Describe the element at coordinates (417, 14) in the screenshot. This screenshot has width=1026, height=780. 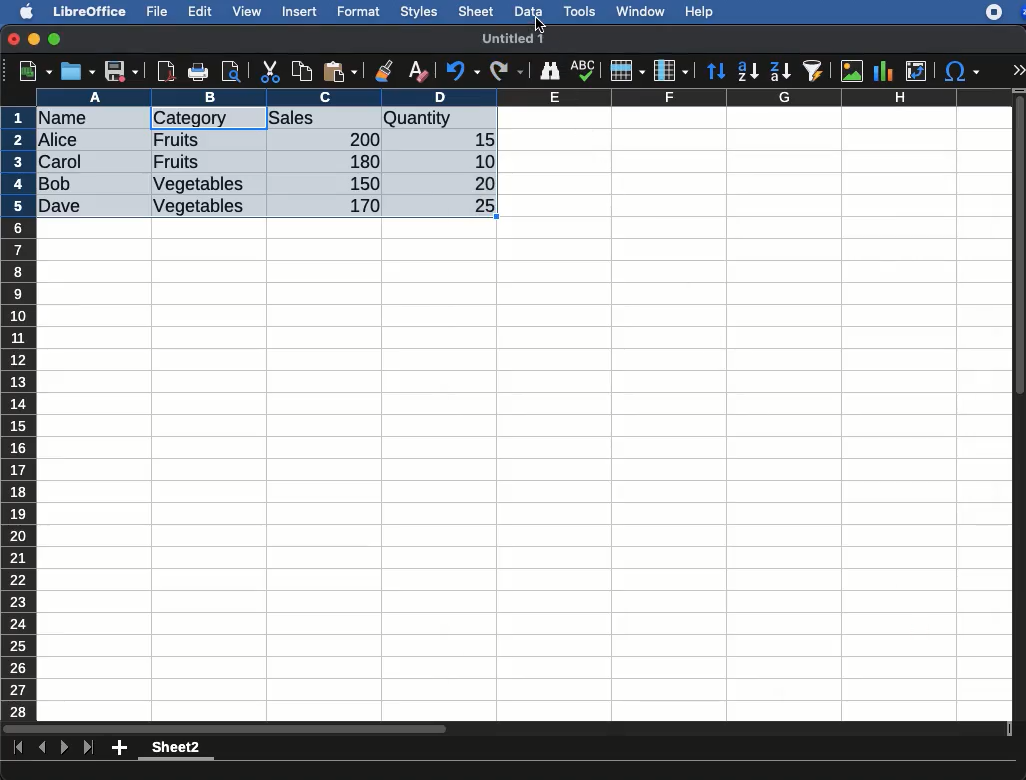
I see `styles` at that location.